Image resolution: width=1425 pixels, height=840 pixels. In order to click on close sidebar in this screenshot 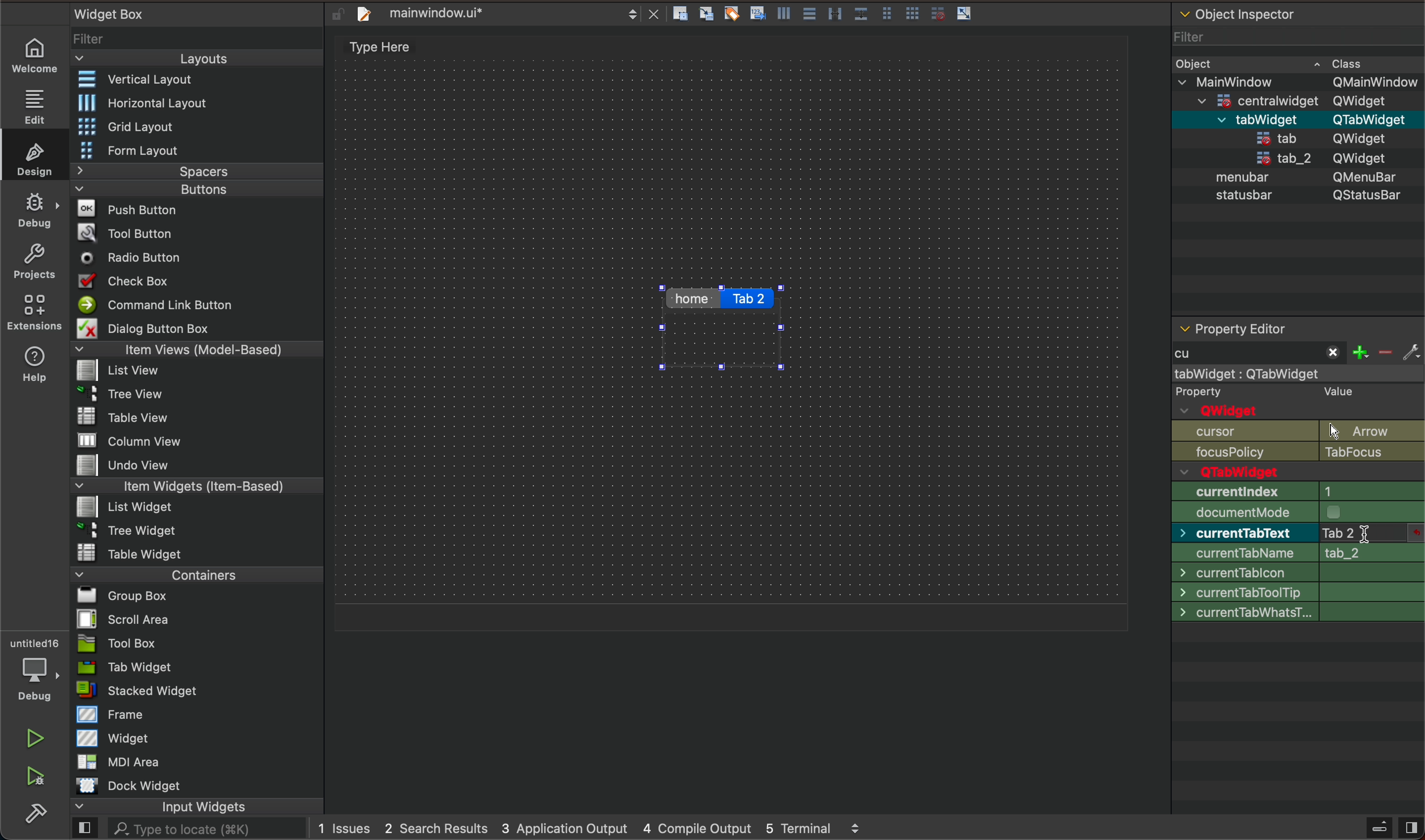, I will do `click(1389, 828)`.